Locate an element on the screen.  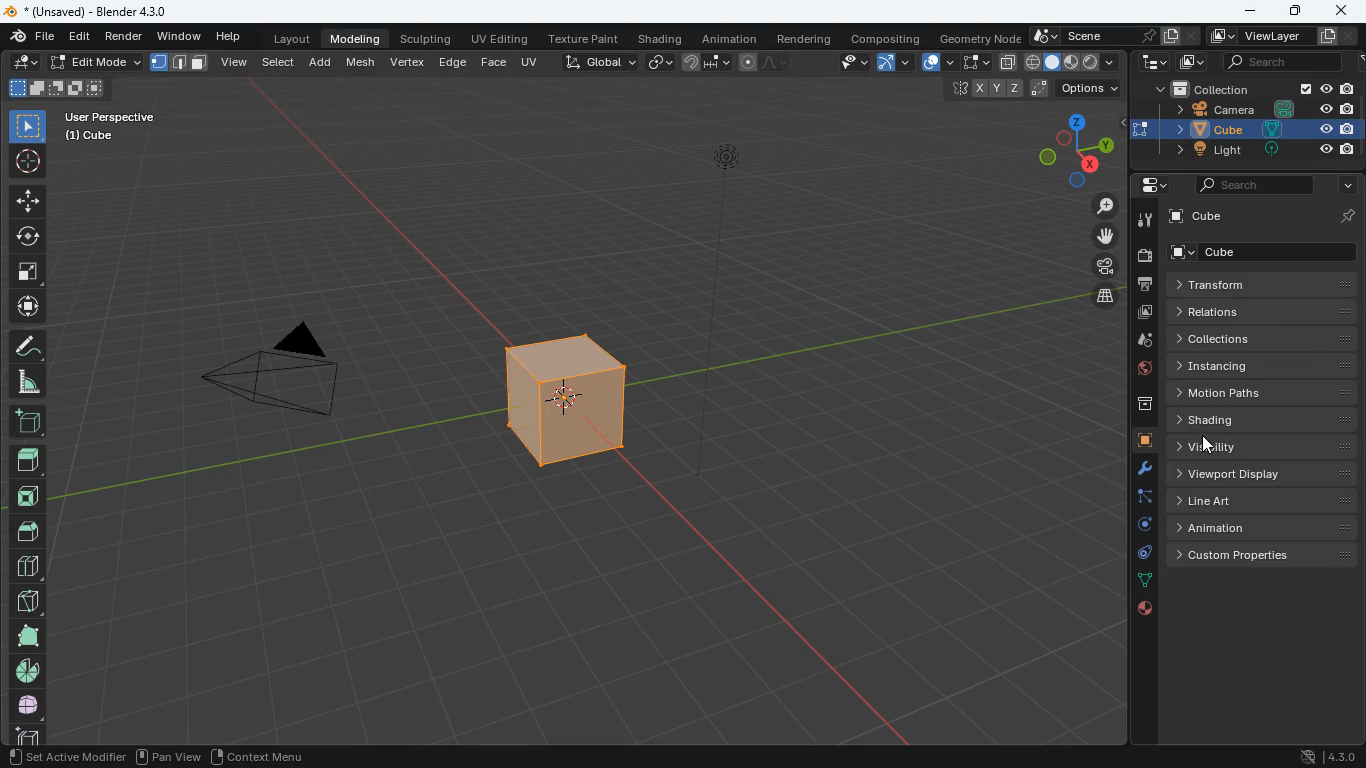
settings is located at coordinates (1149, 184).